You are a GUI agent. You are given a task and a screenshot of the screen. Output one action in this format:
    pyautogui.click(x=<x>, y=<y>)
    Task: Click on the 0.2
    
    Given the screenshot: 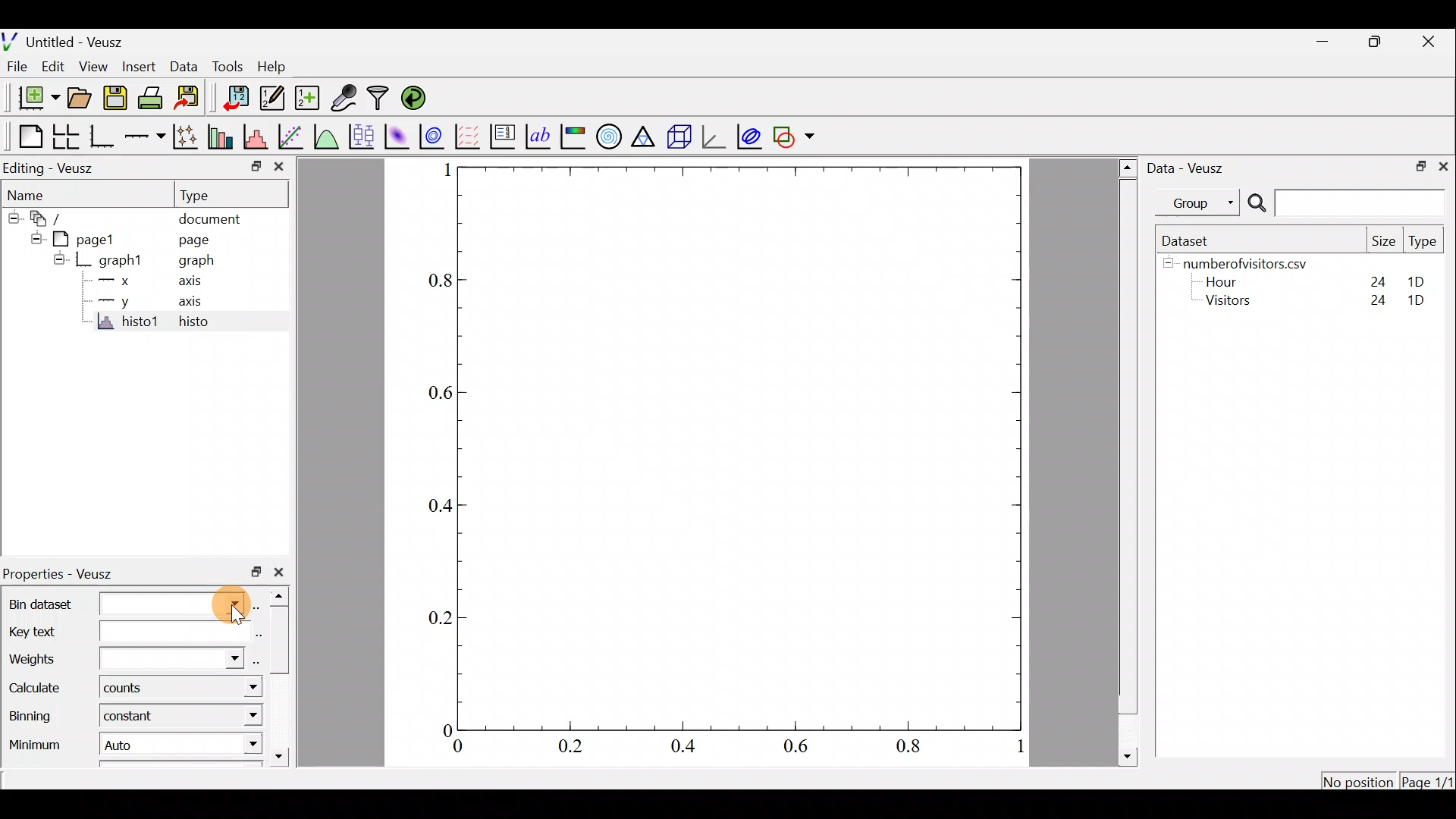 What is the action you would take?
    pyautogui.click(x=573, y=745)
    